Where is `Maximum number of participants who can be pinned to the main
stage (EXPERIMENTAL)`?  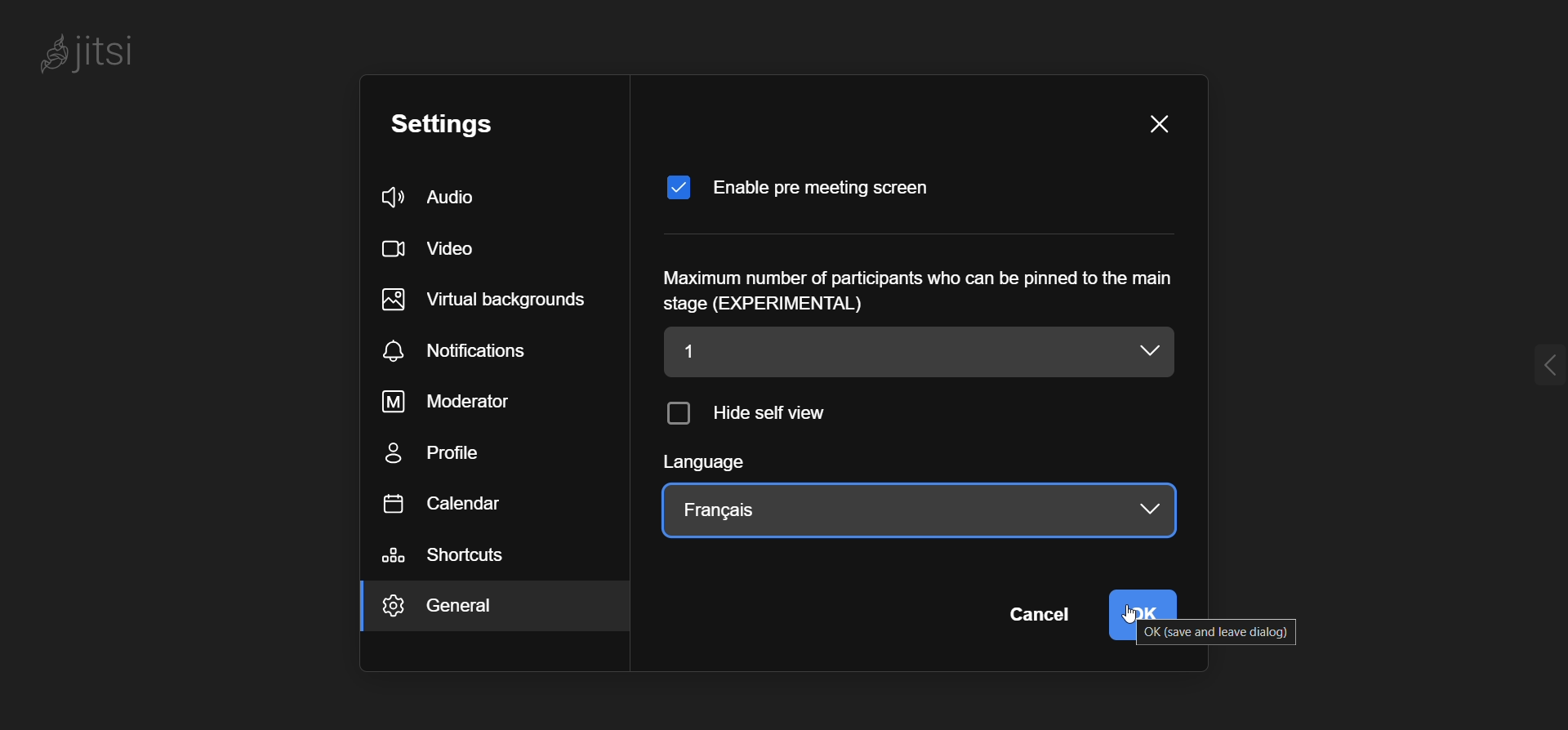
Maximum number of participants who can be pinned to the main
stage (EXPERIMENTAL) is located at coordinates (915, 290).